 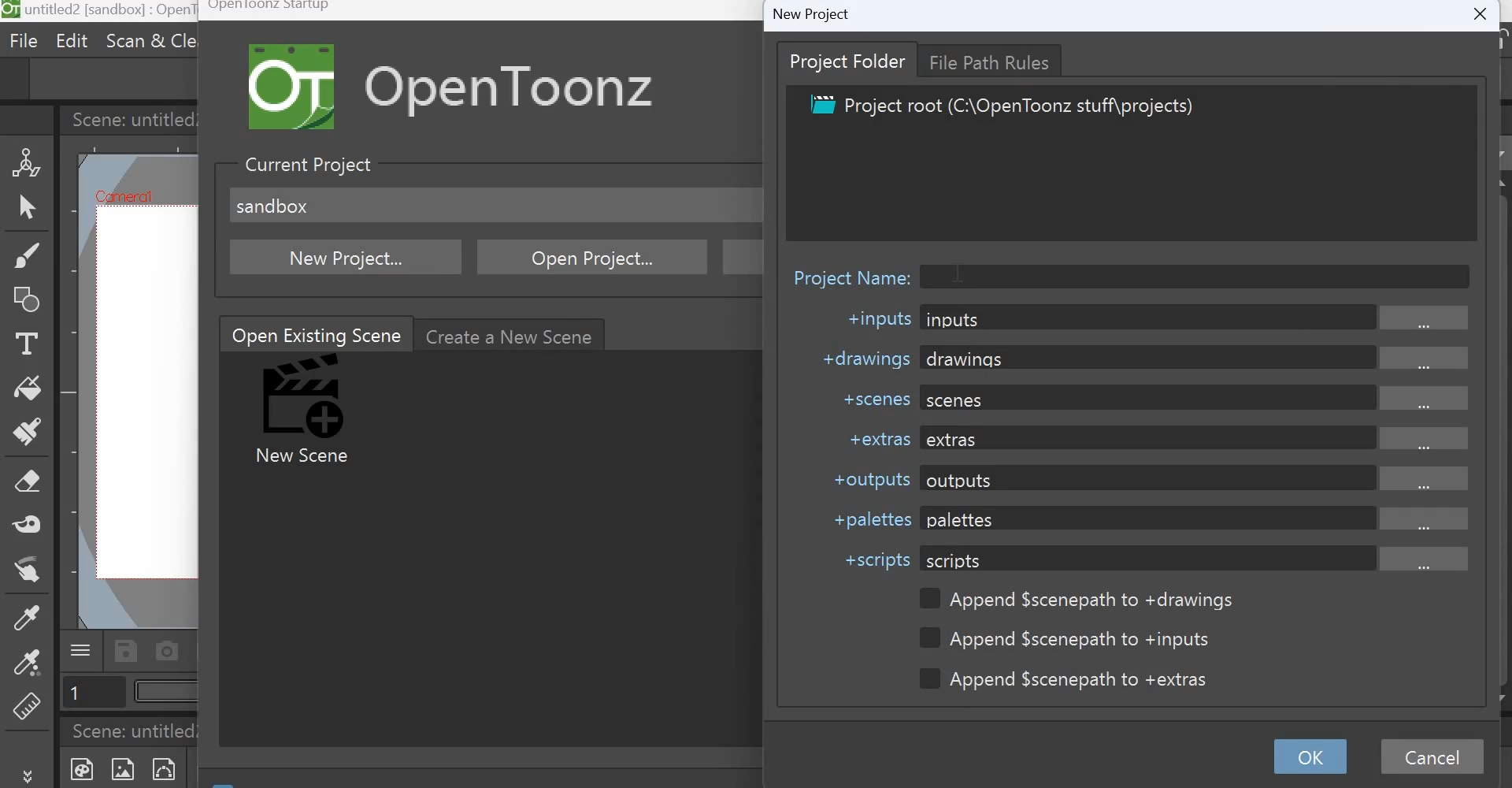 What do you see at coordinates (149, 39) in the screenshot?
I see `Scan & cleanup` at bounding box center [149, 39].